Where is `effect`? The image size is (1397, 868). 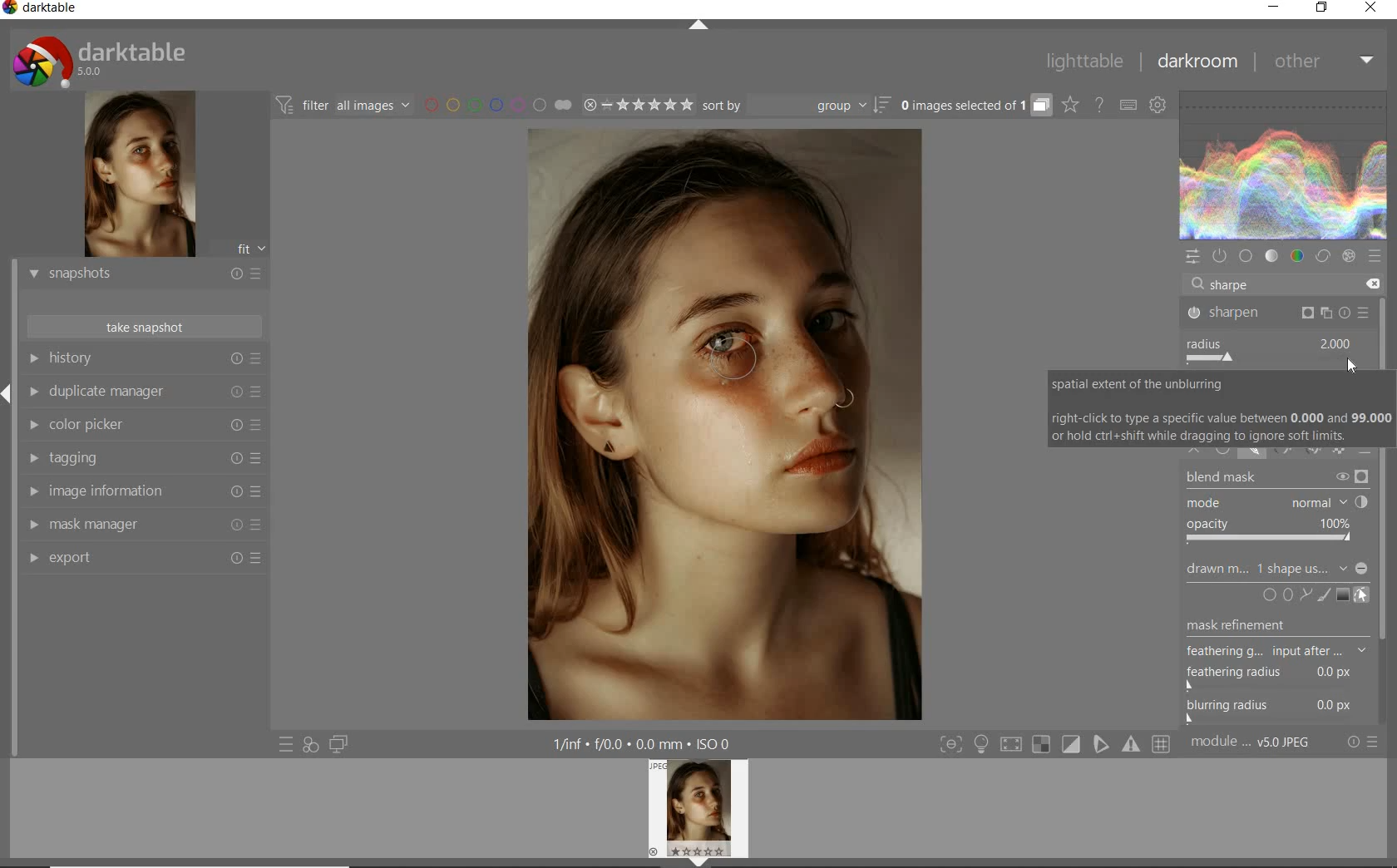
effect is located at coordinates (1349, 256).